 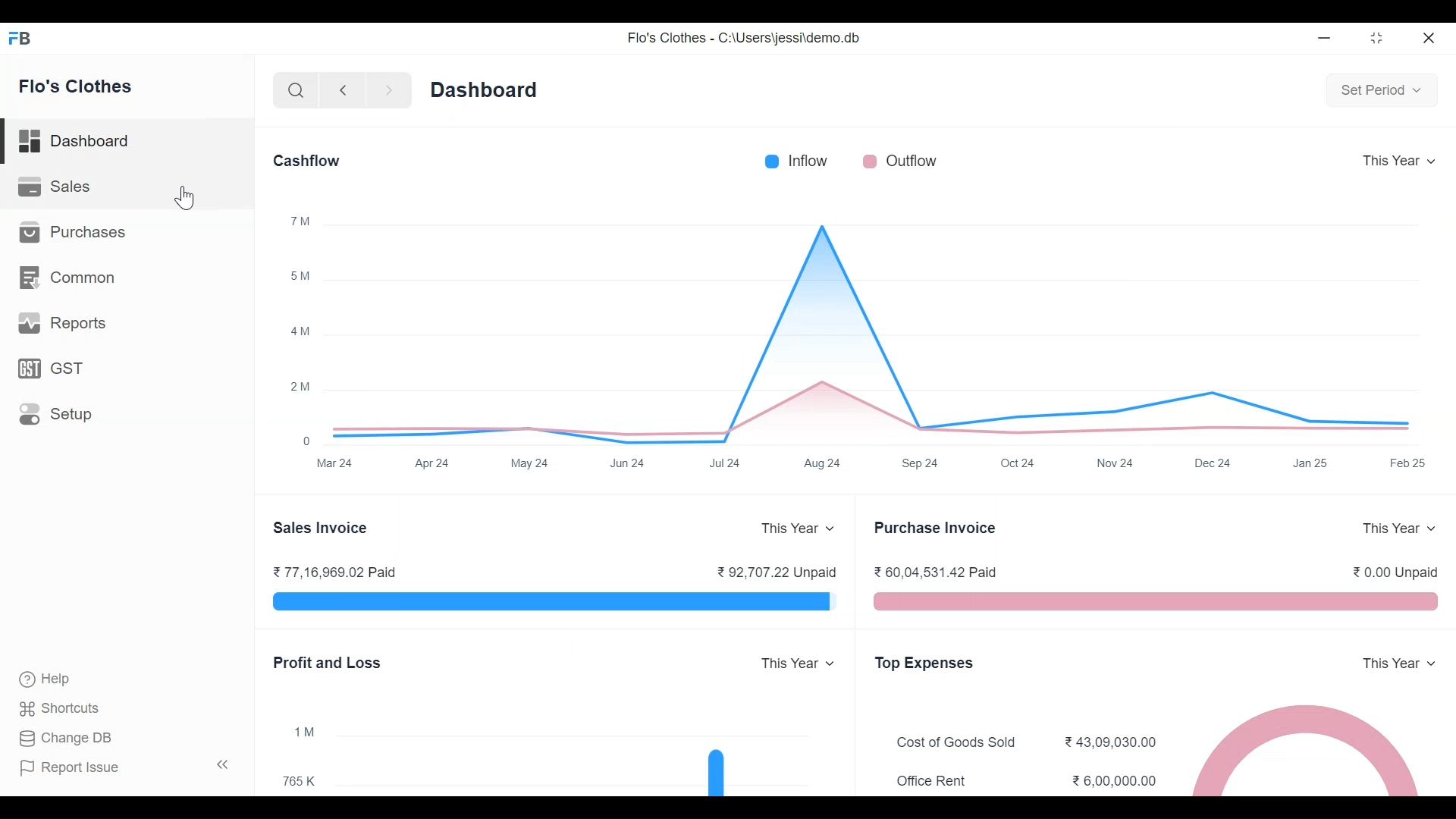 What do you see at coordinates (130, 188) in the screenshot?
I see `Sales` at bounding box center [130, 188].